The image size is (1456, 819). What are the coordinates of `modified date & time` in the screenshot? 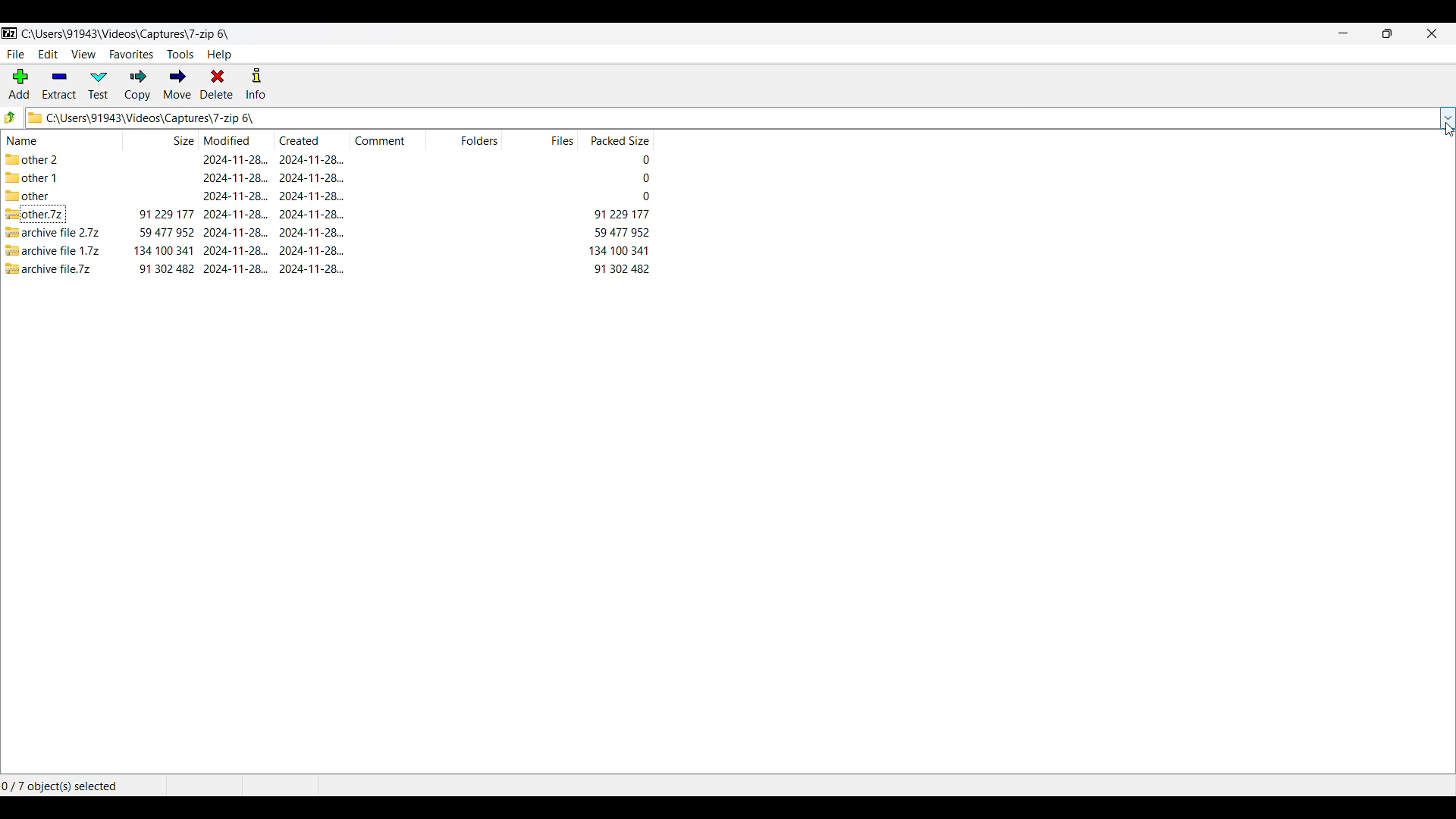 It's located at (234, 158).